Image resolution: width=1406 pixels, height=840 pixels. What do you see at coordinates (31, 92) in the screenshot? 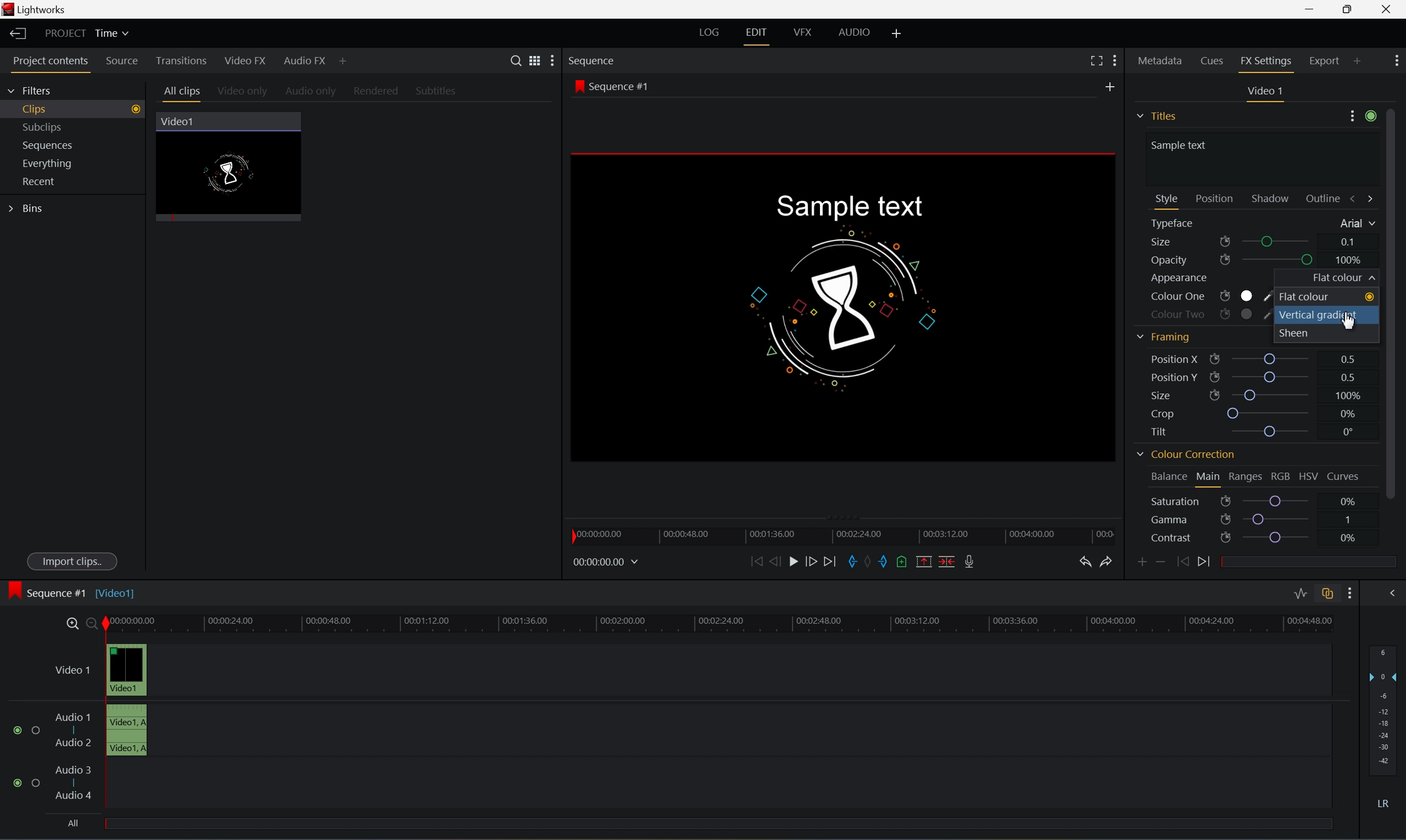
I see `Filters` at bounding box center [31, 92].